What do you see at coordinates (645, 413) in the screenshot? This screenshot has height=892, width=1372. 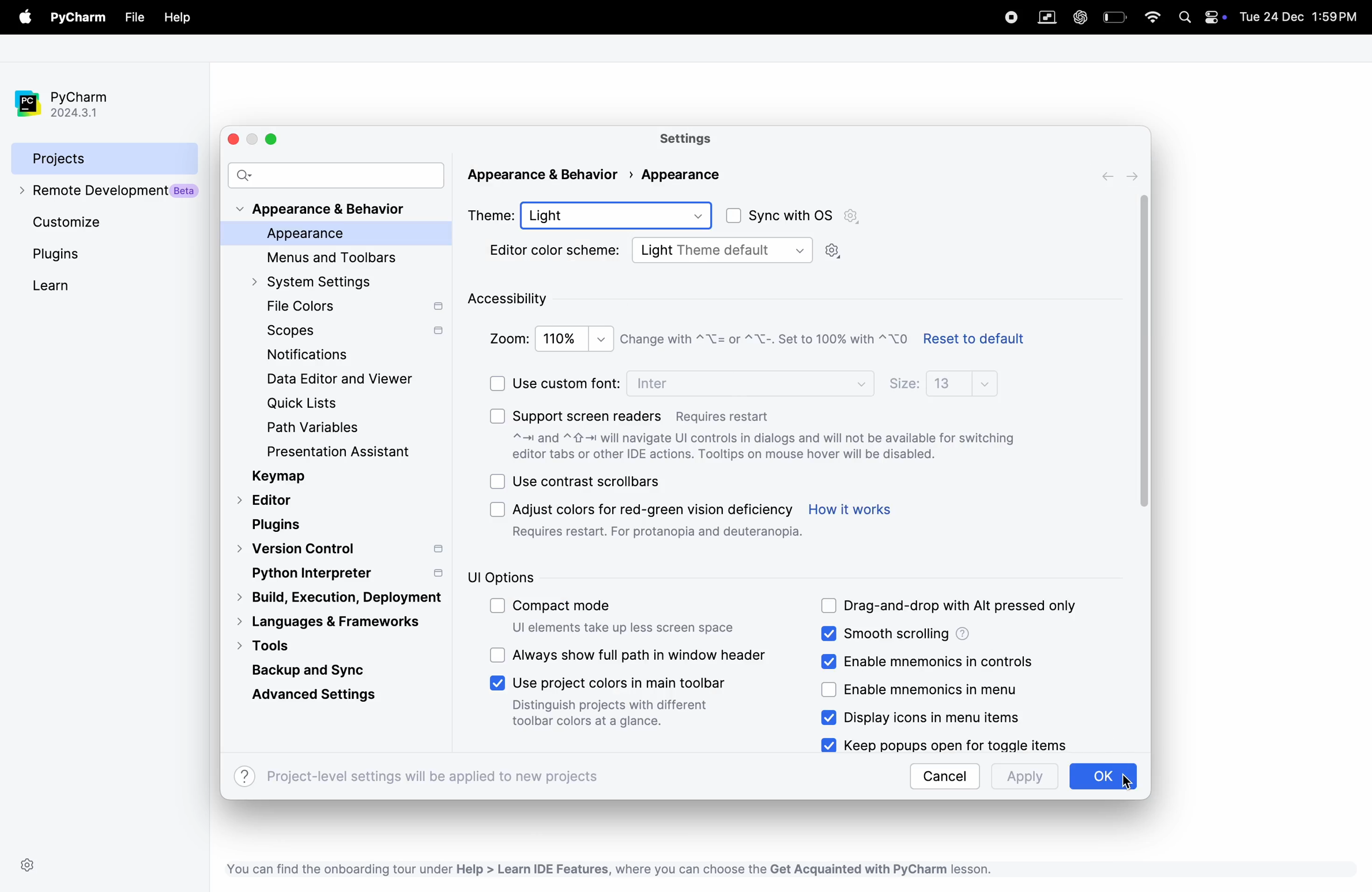 I see `support screen readers` at bounding box center [645, 413].